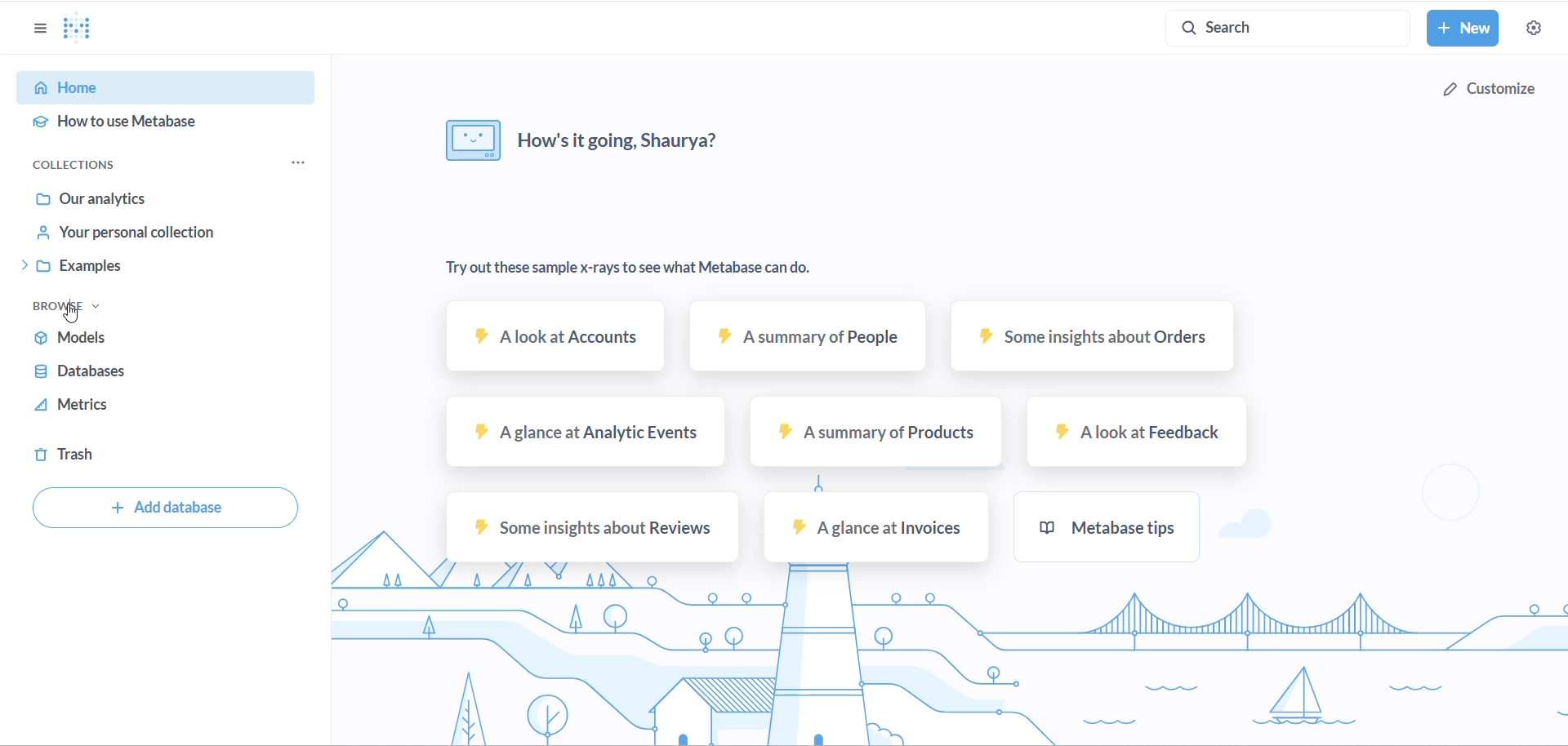 The height and width of the screenshot is (746, 1568). I want to click on Try out these sample x-rays to see what Metabase can do., so click(629, 269).